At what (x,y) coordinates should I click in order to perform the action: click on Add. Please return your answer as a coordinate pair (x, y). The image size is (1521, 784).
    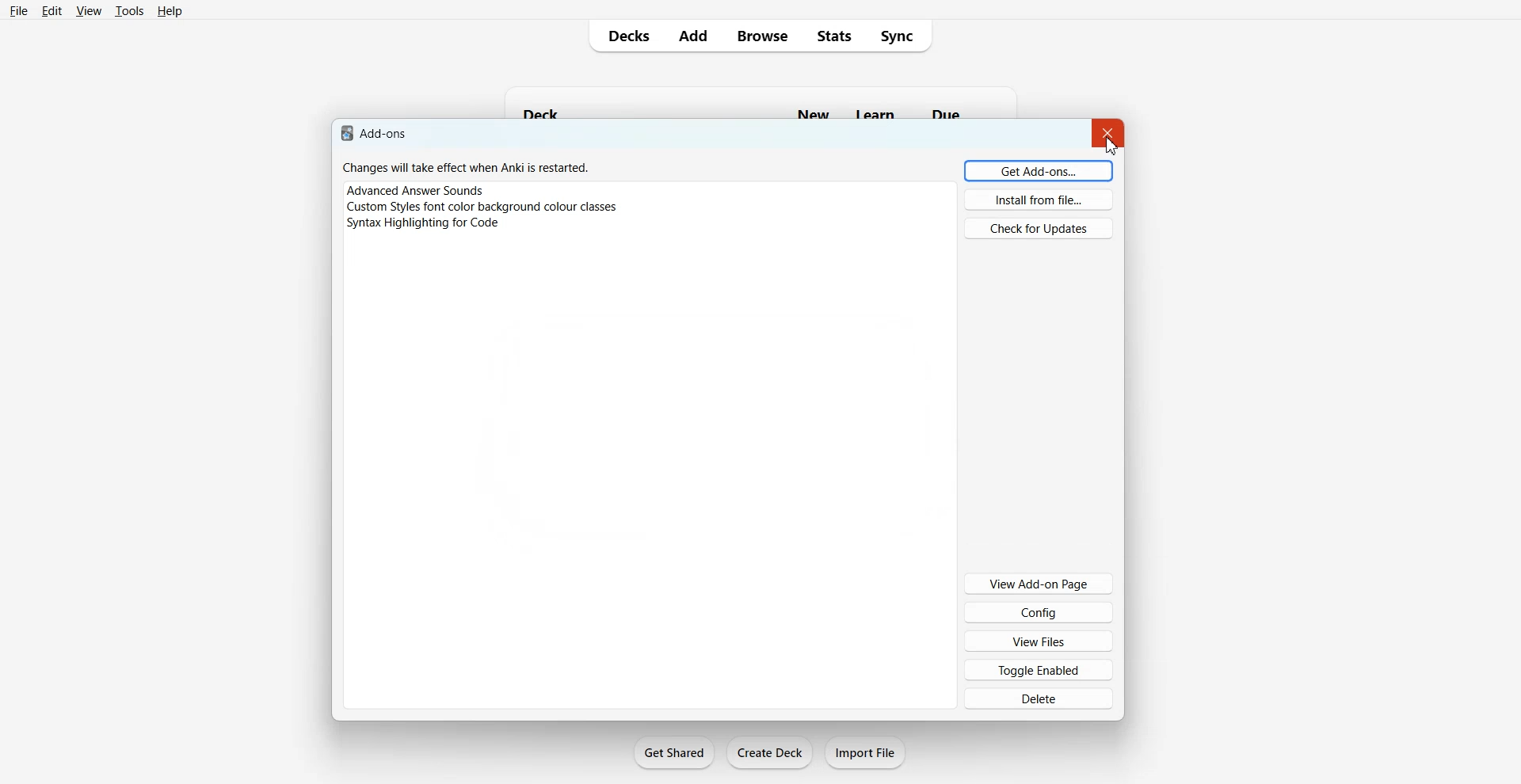
    Looking at the image, I should click on (694, 36).